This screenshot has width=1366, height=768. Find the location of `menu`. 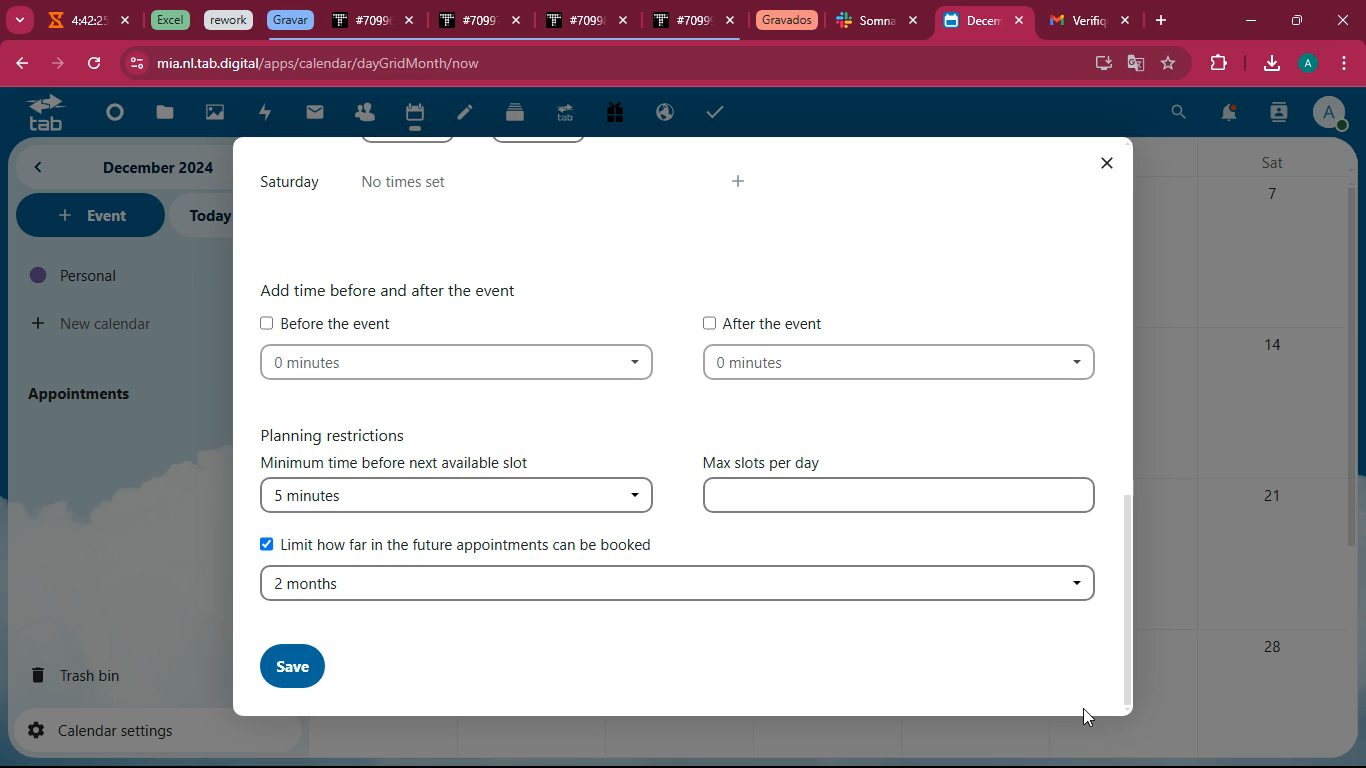

menu is located at coordinates (1341, 64).